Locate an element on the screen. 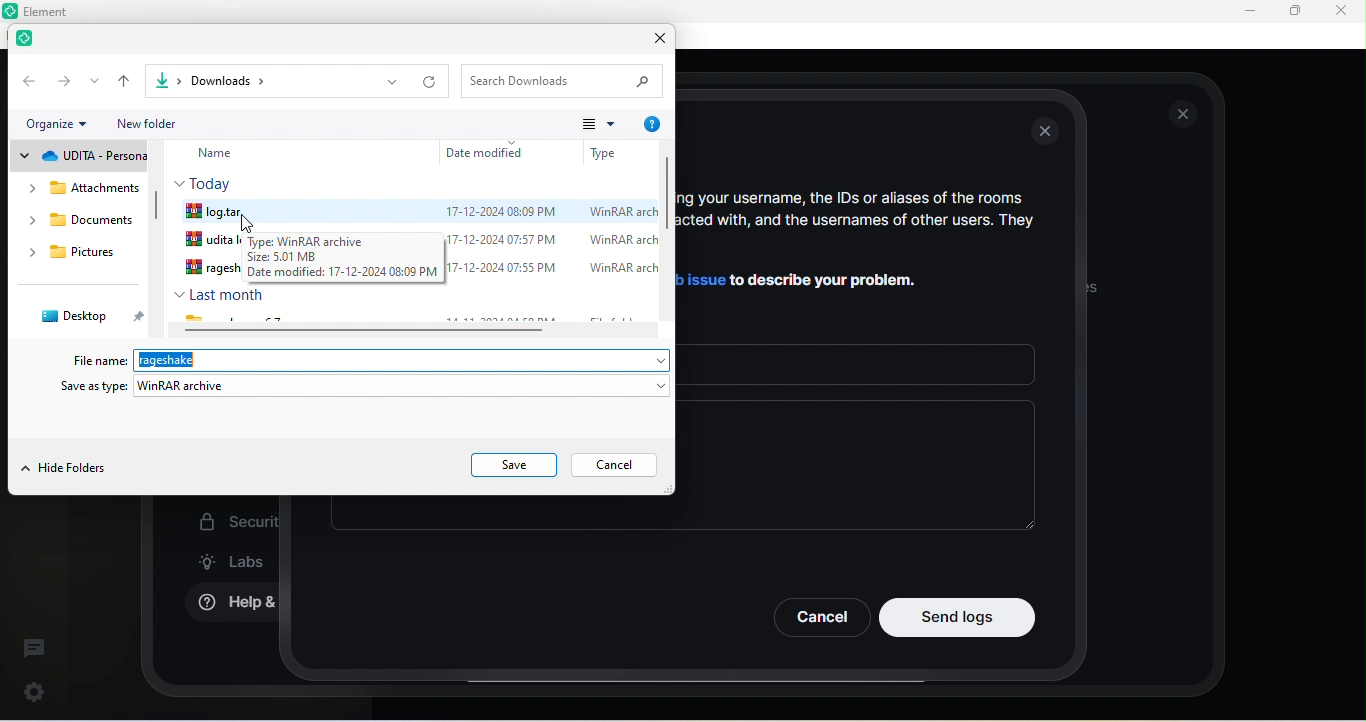 The height and width of the screenshot is (722, 1366). downloads is located at coordinates (82, 224).